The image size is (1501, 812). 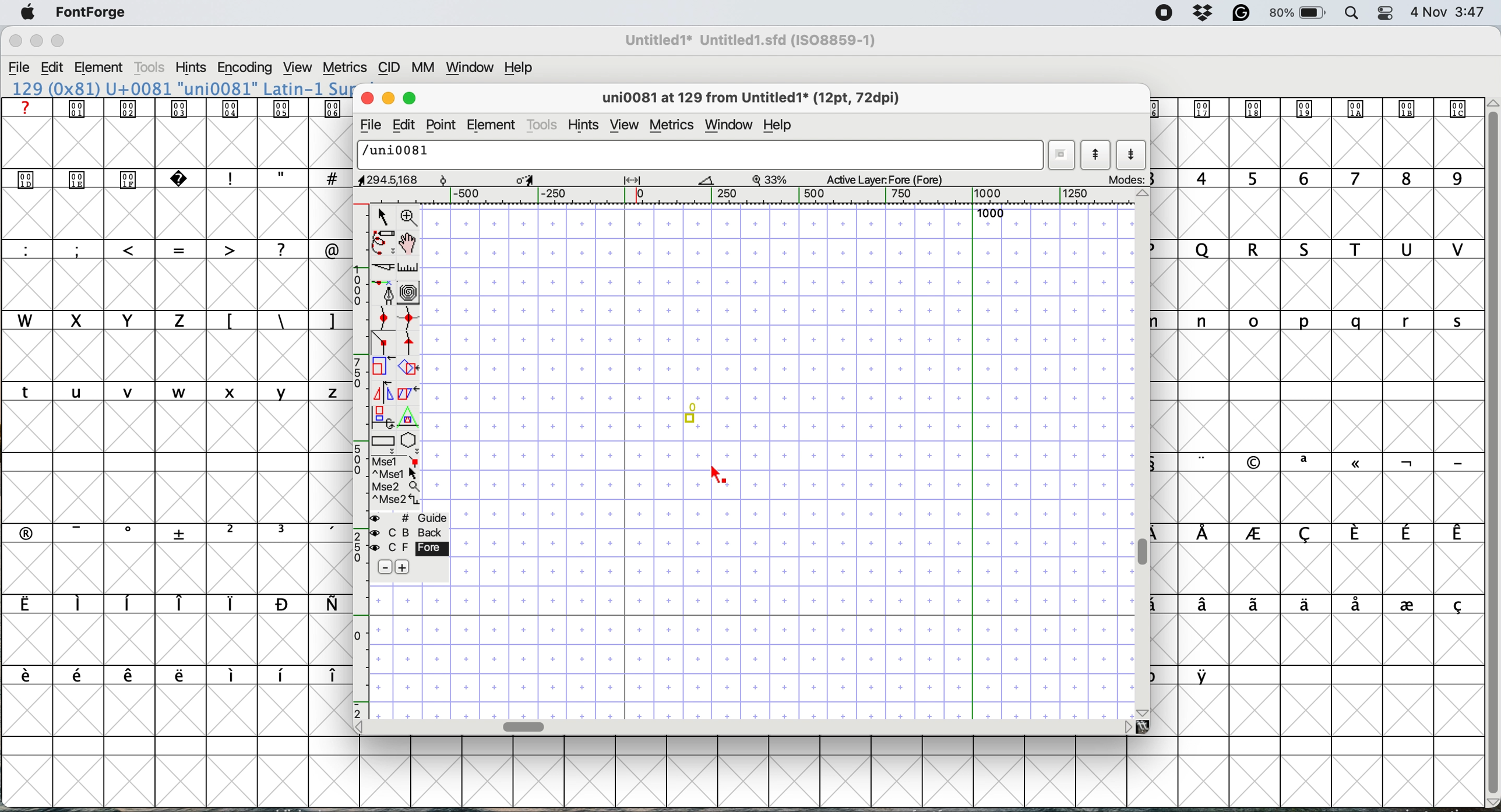 What do you see at coordinates (385, 343) in the screenshot?
I see `connector point` at bounding box center [385, 343].